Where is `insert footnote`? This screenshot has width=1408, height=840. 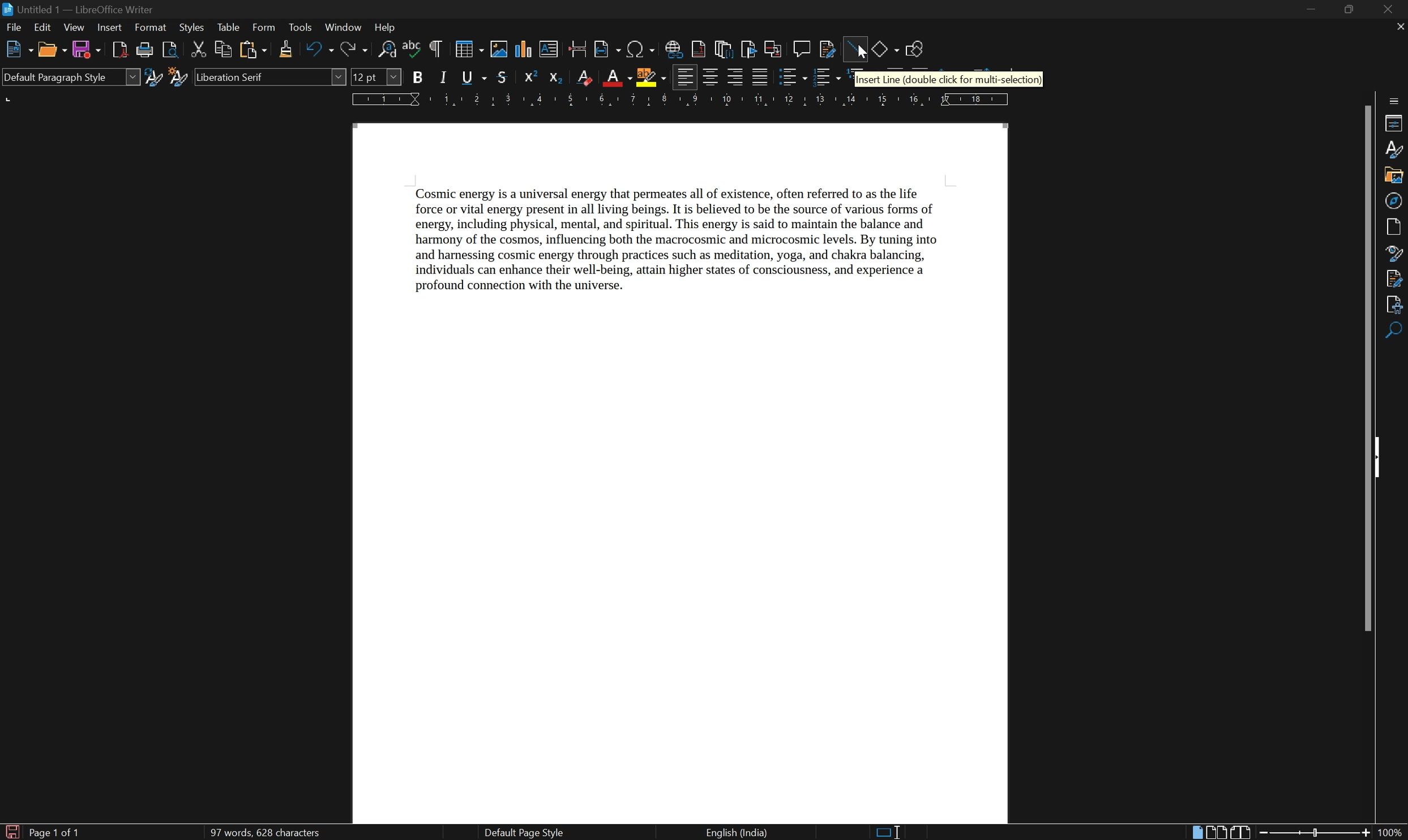
insert footnote is located at coordinates (698, 50).